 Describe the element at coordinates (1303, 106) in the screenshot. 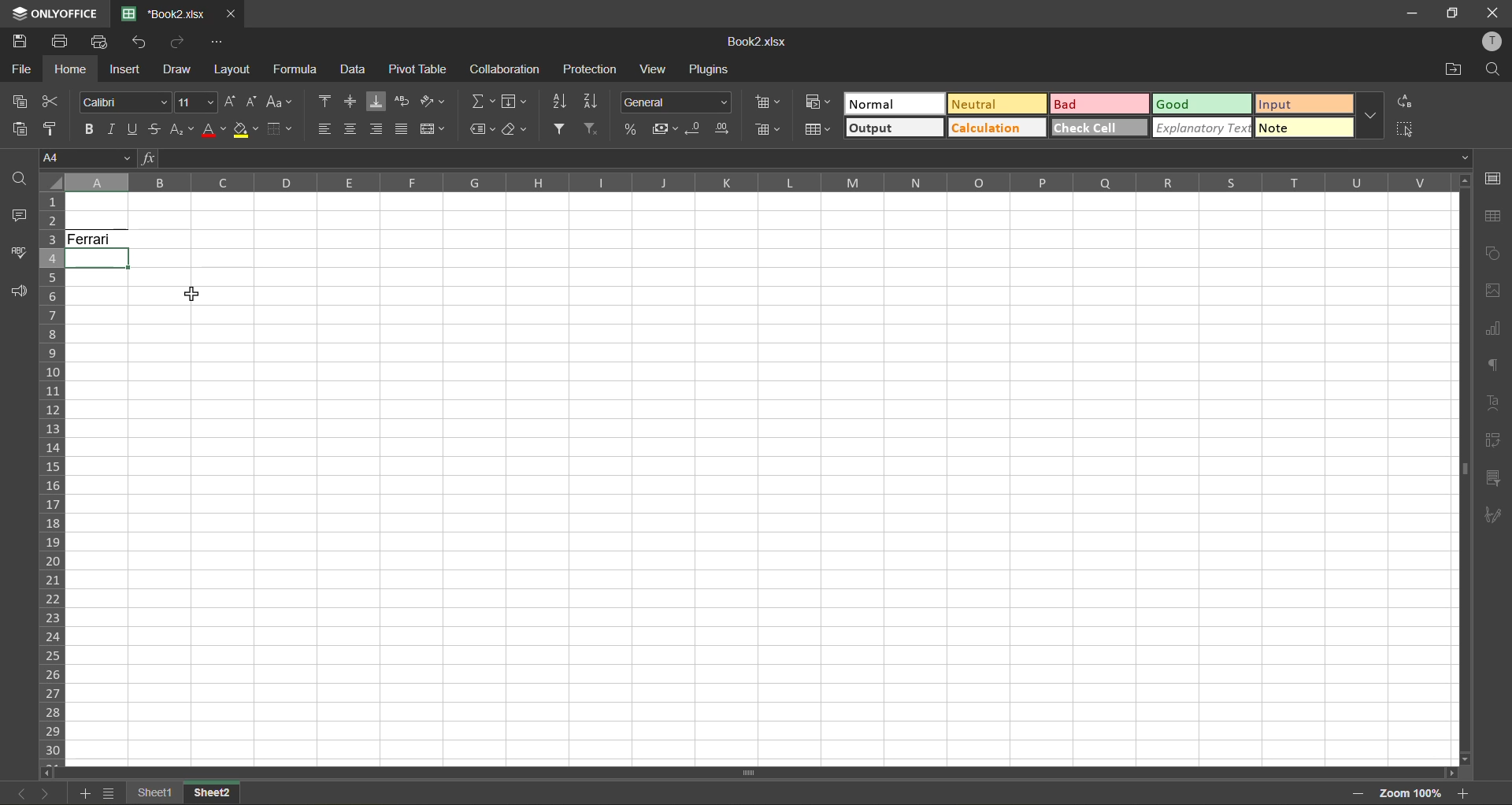

I see `input` at that location.